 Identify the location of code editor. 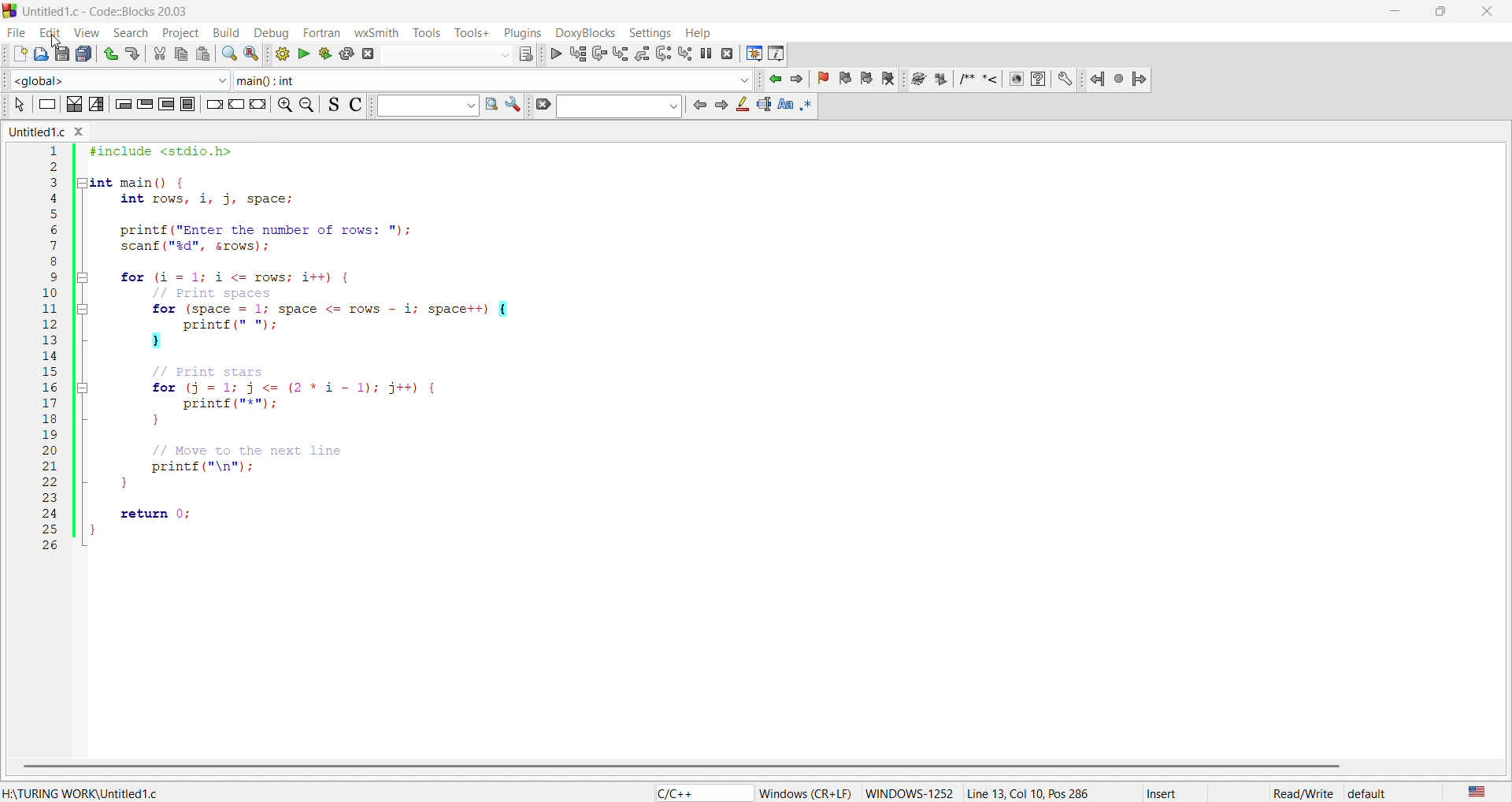
(784, 369).